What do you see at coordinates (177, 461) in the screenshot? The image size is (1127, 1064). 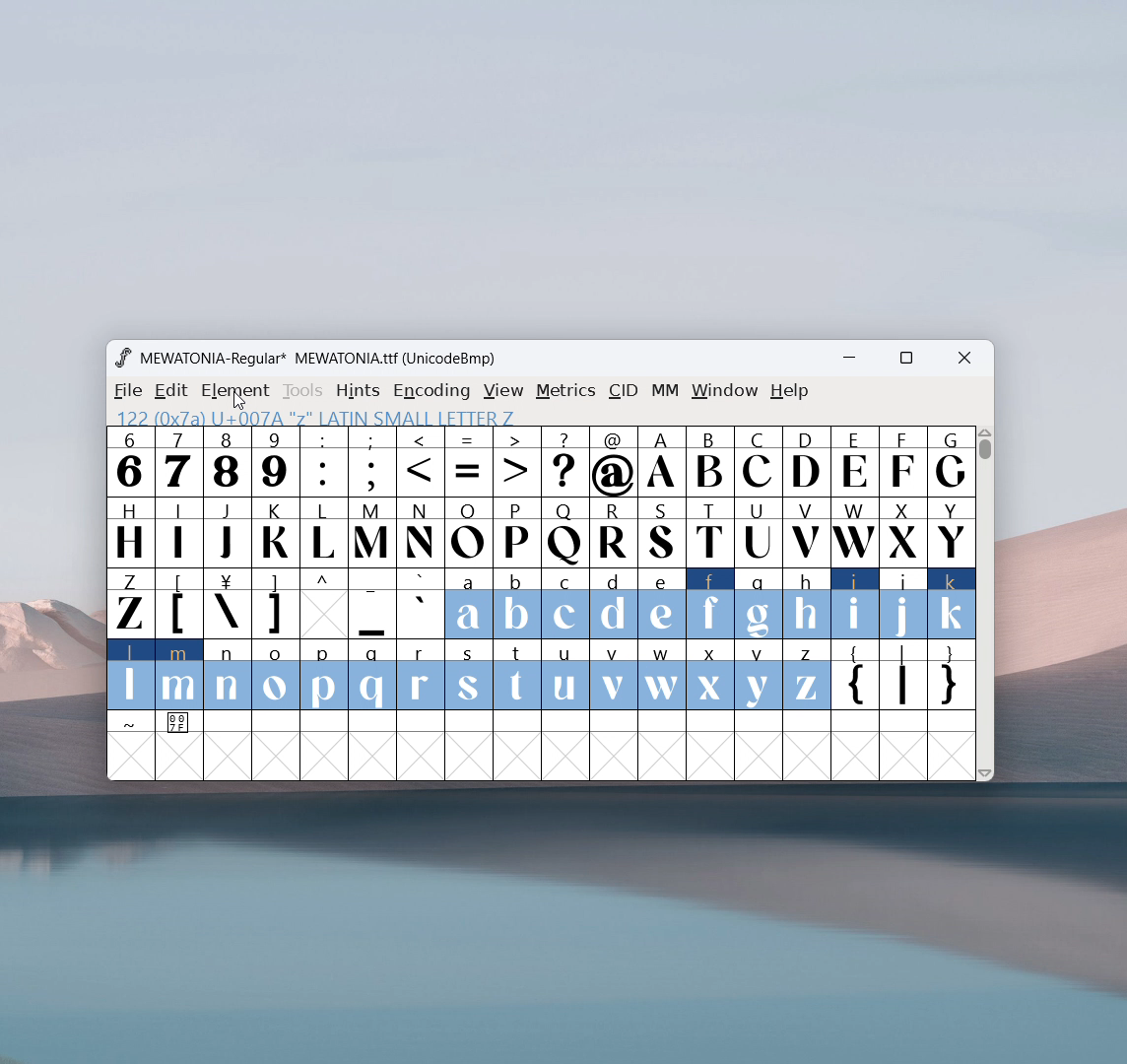 I see `7` at bounding box center [177, 461].